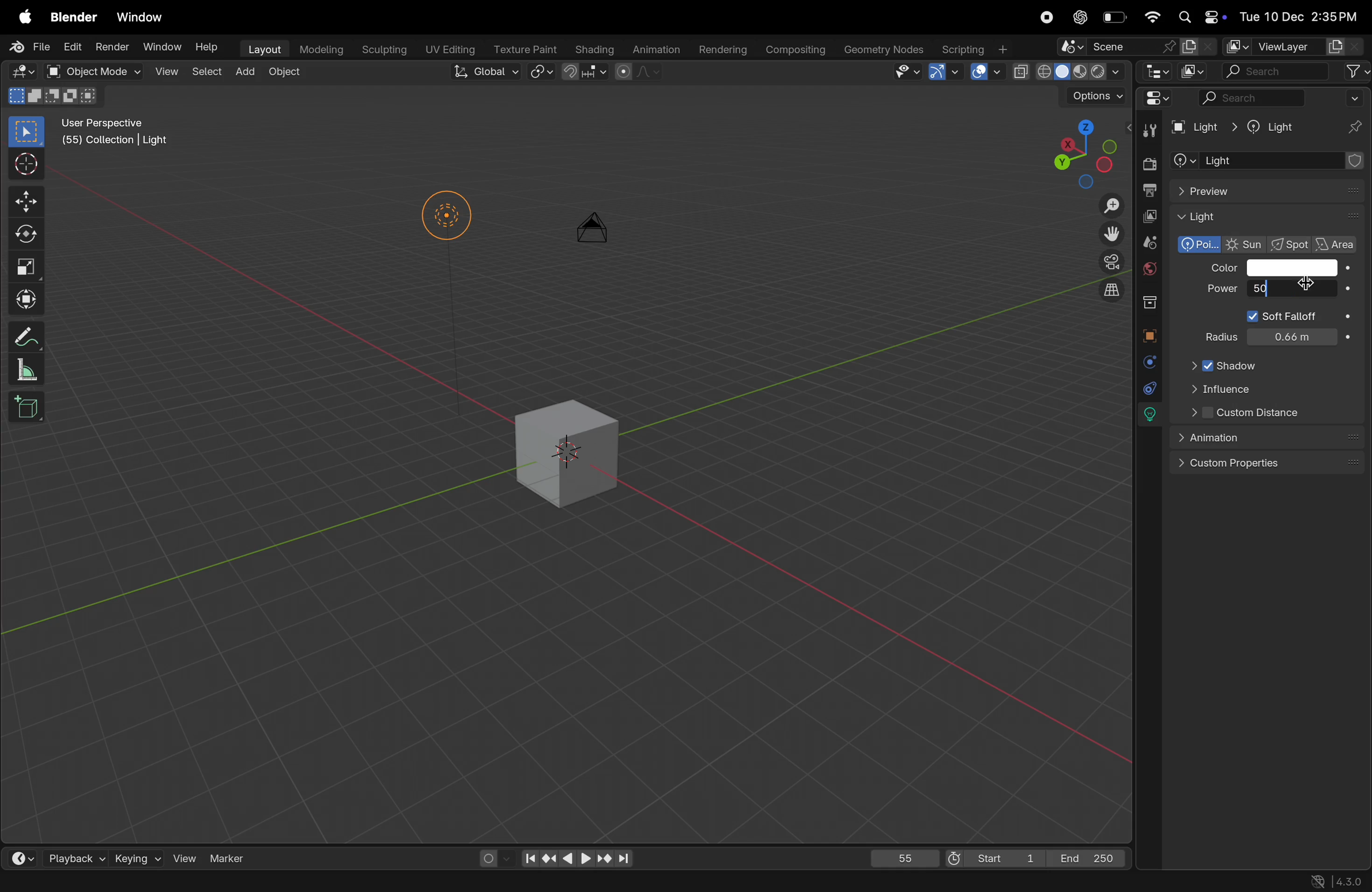  Describe the element at coordinates (1136, 47) in the screenshot. I see `scene` at that location.